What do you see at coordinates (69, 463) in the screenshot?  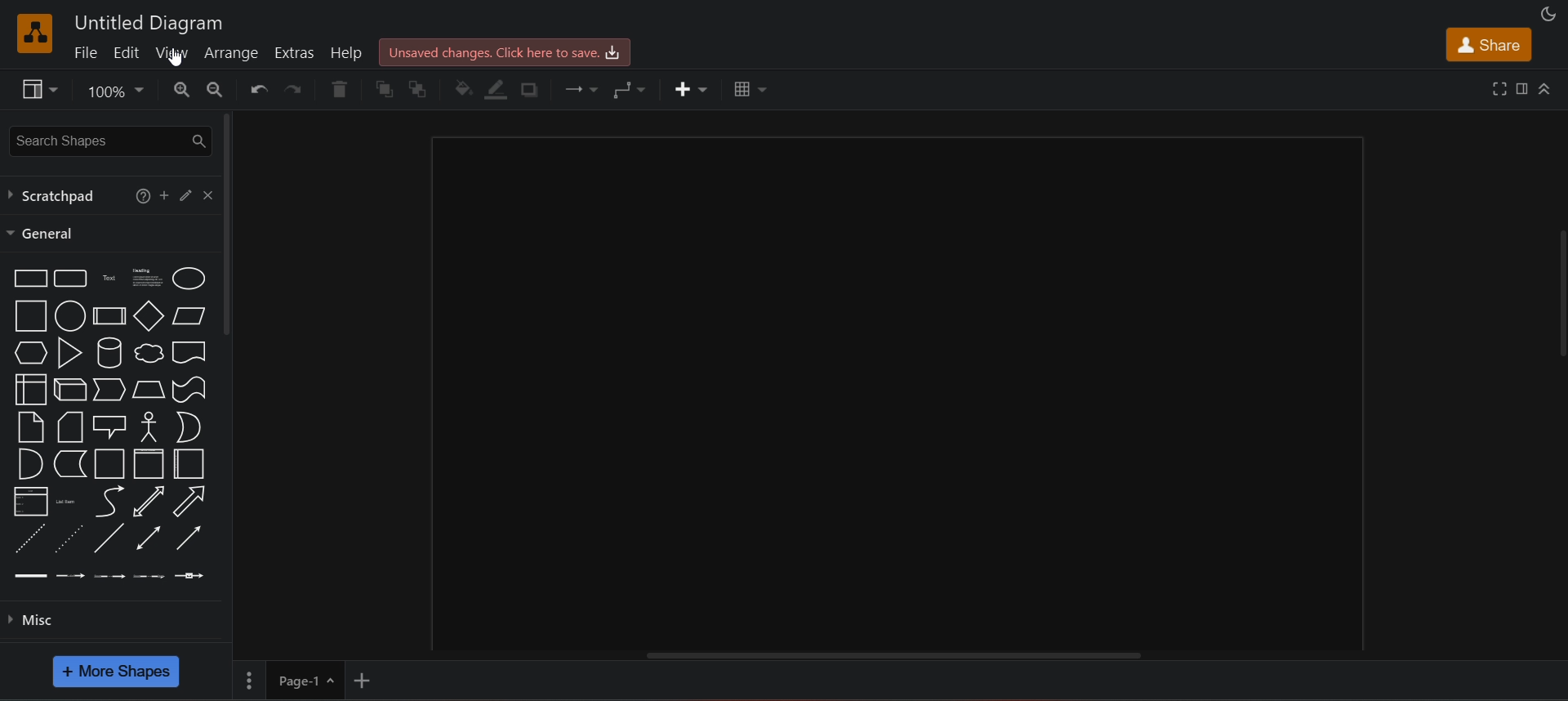 I see `data storage` at bounding box center [69, 463].